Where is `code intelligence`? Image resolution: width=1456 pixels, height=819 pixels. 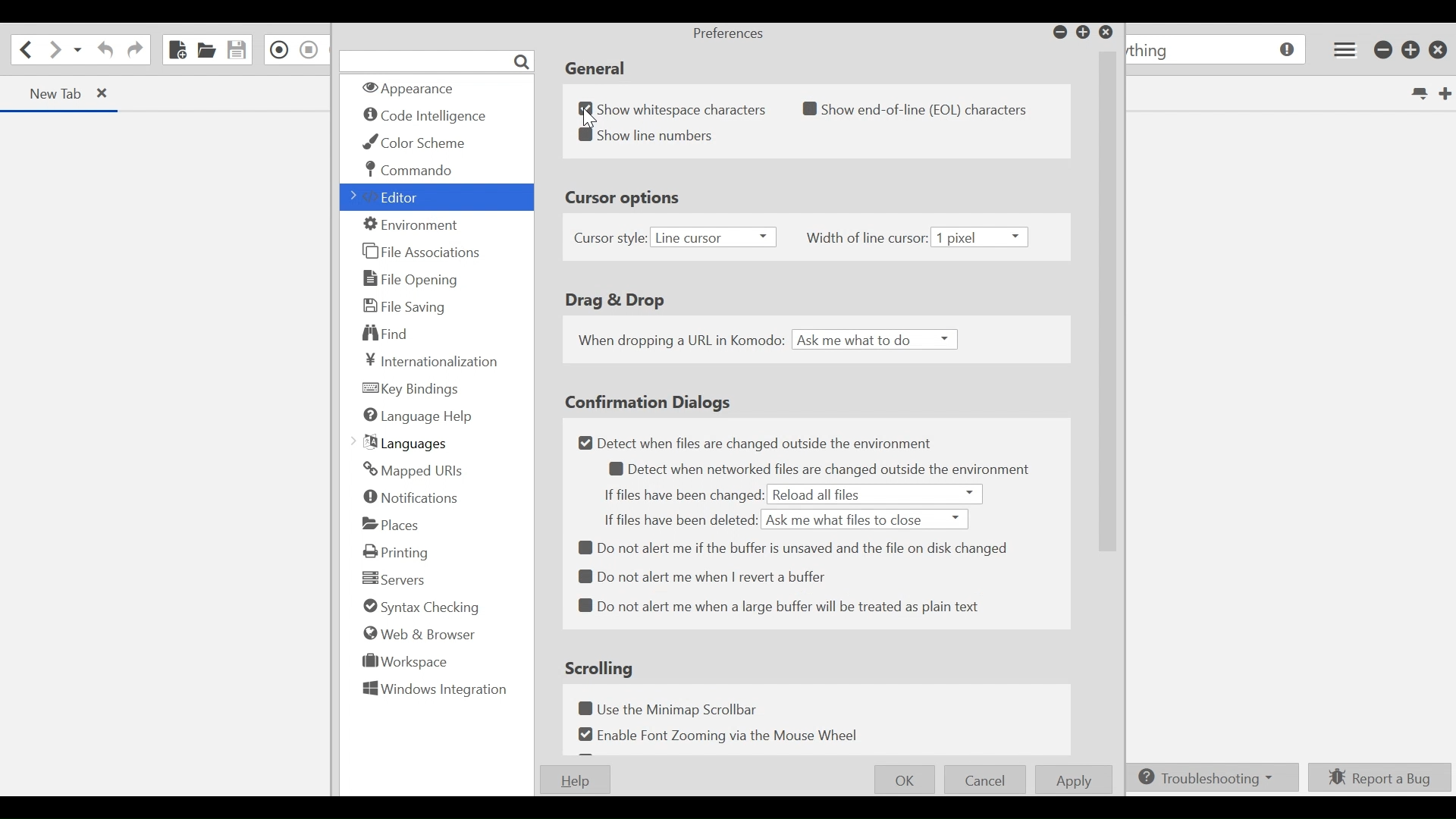
code intelligence is located at coordinates (427, 117).